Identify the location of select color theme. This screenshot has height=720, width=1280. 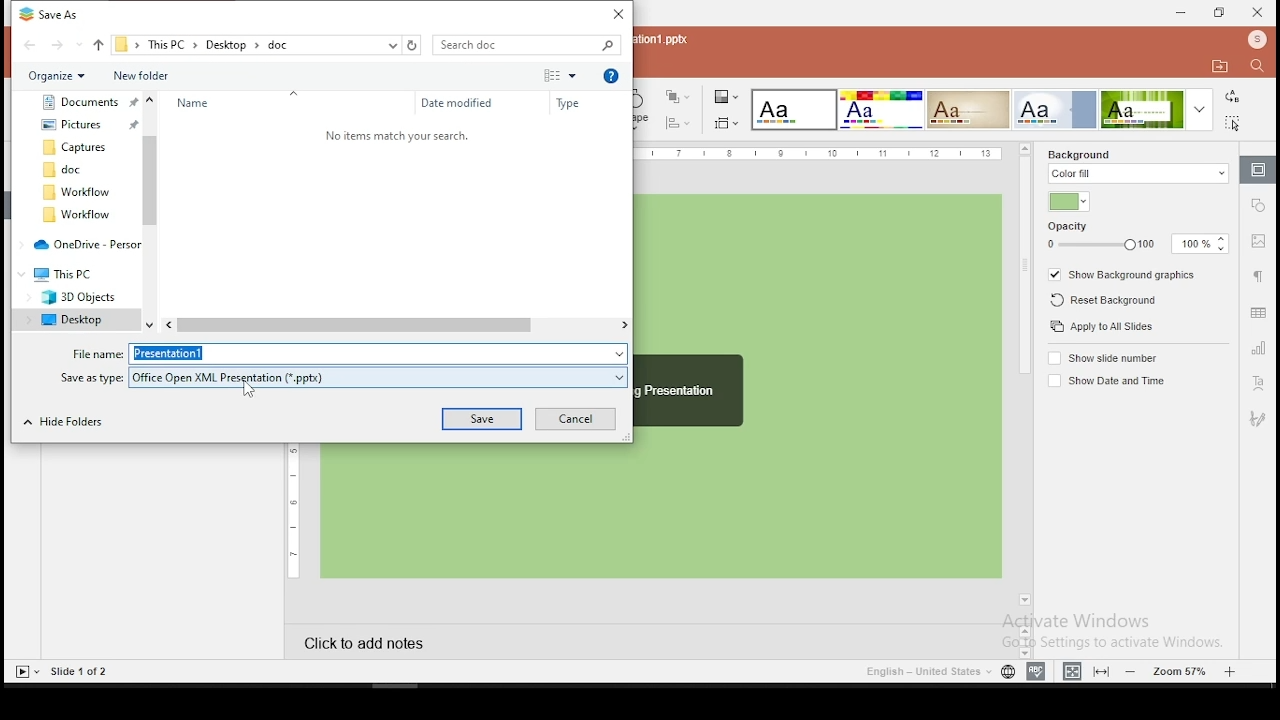
(1059, 110).